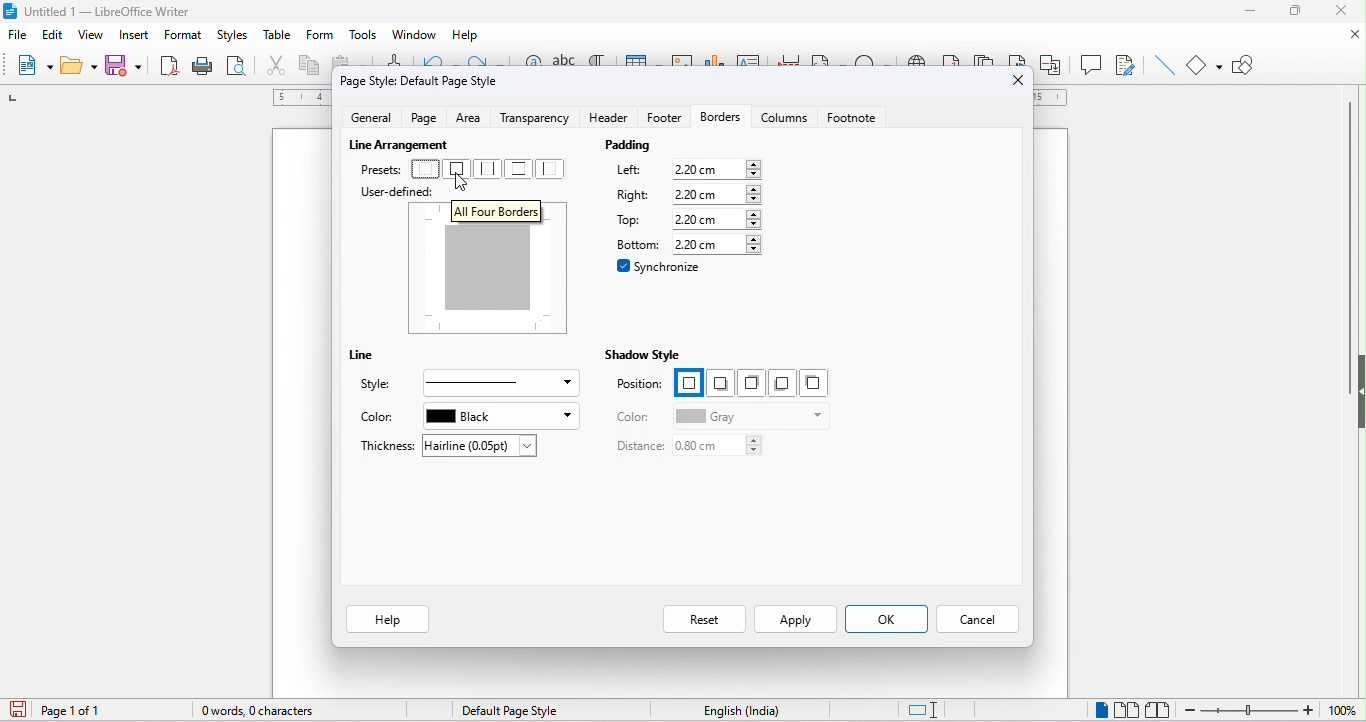 The image size is (1366, 722). What do you see at coordinates (1353, 217) in the screenshot?
I see `vertical scroll bar` at bounding box center [1353, 217].